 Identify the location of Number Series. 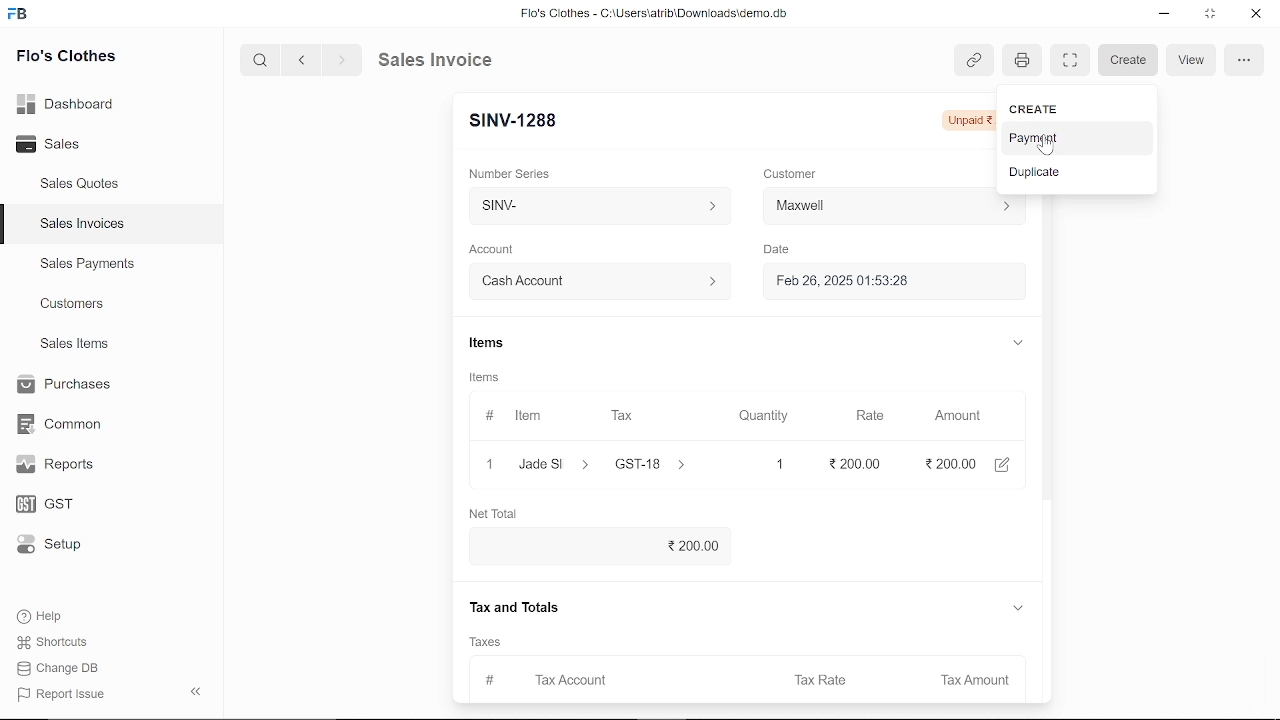
(512, 173).